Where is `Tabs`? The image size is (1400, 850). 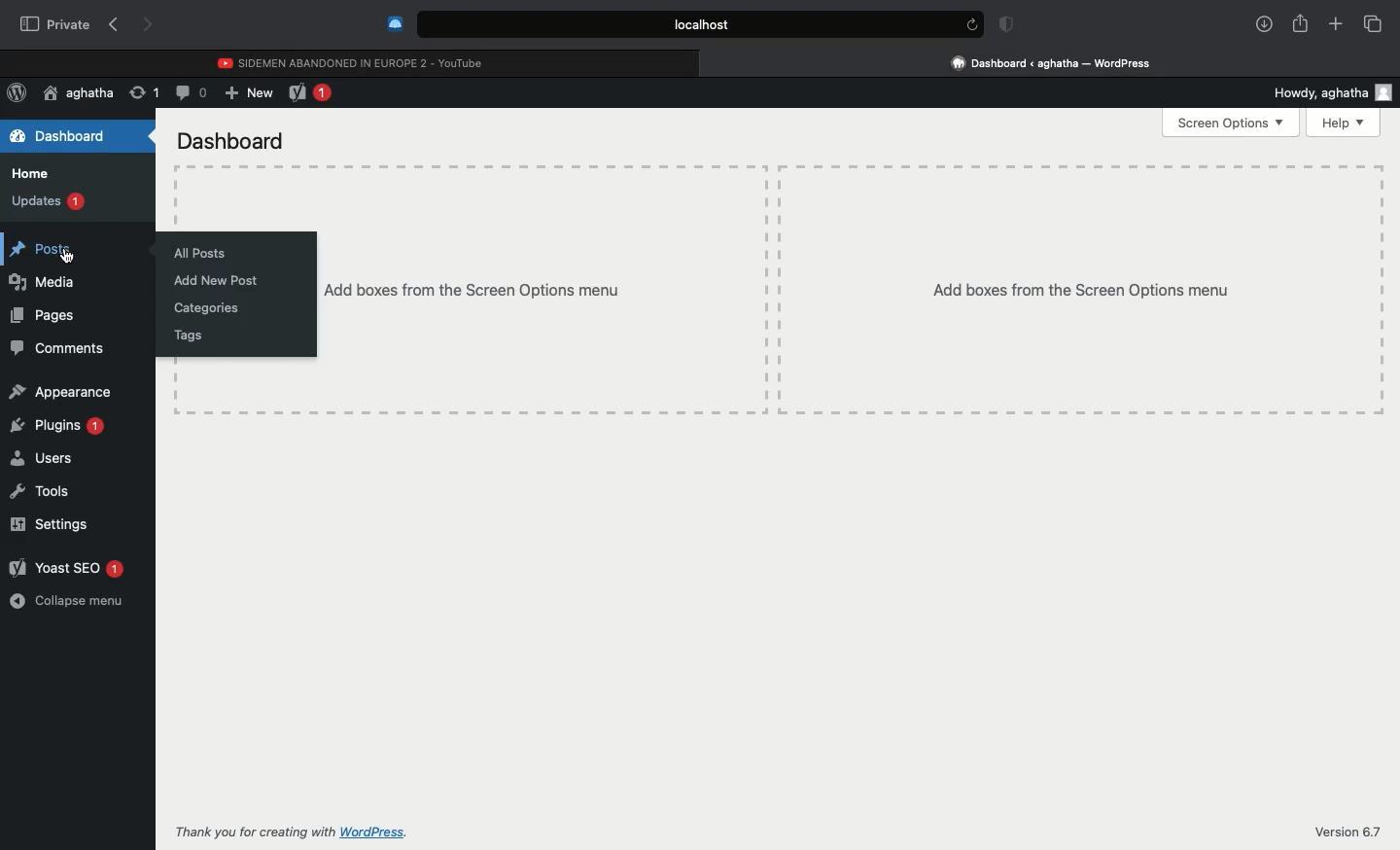
Tabs is located at coordinates (1373, 23).